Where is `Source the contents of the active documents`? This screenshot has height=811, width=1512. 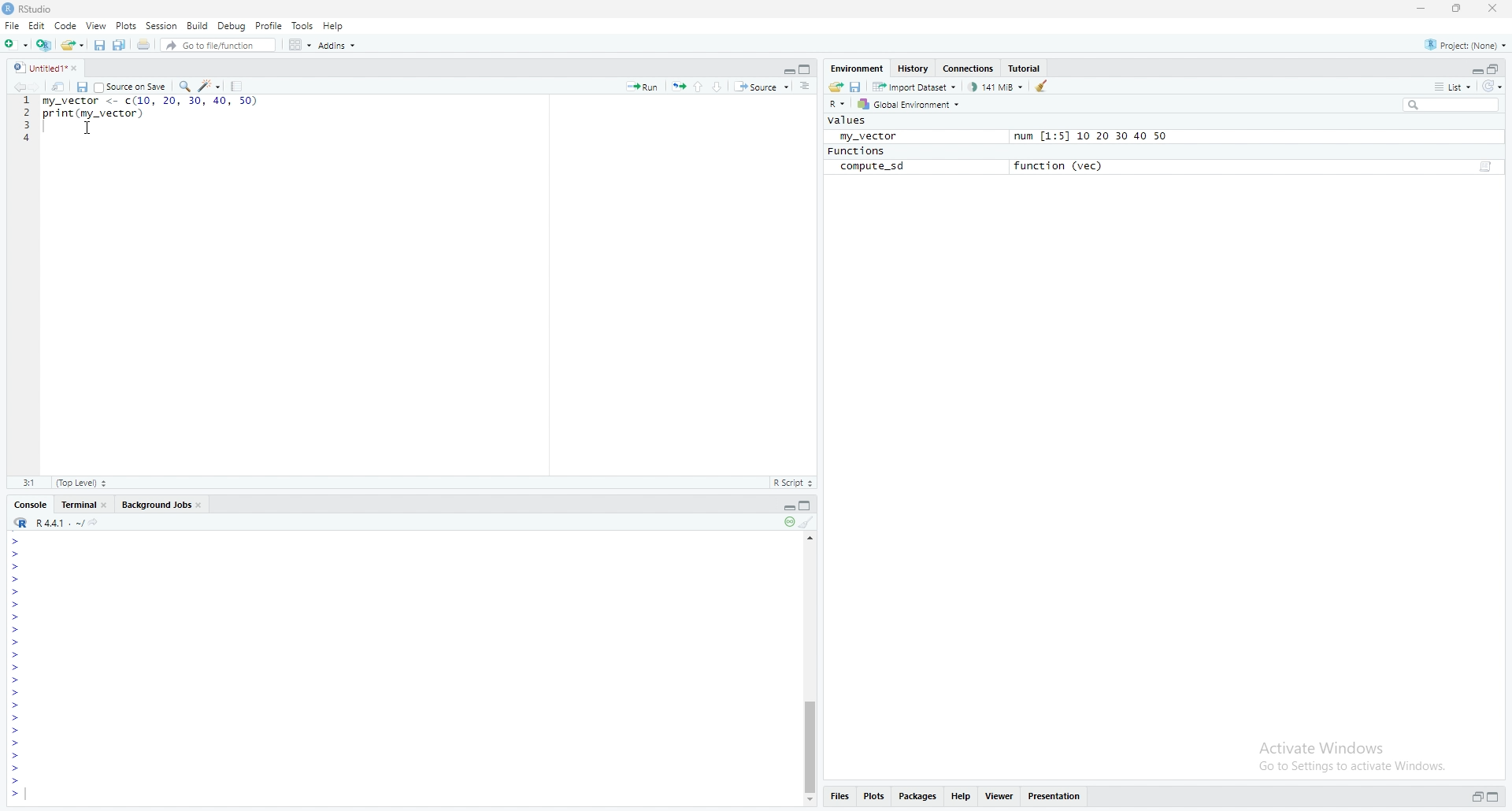 Source the contents of the active documents is located at coordinates (762, 87).